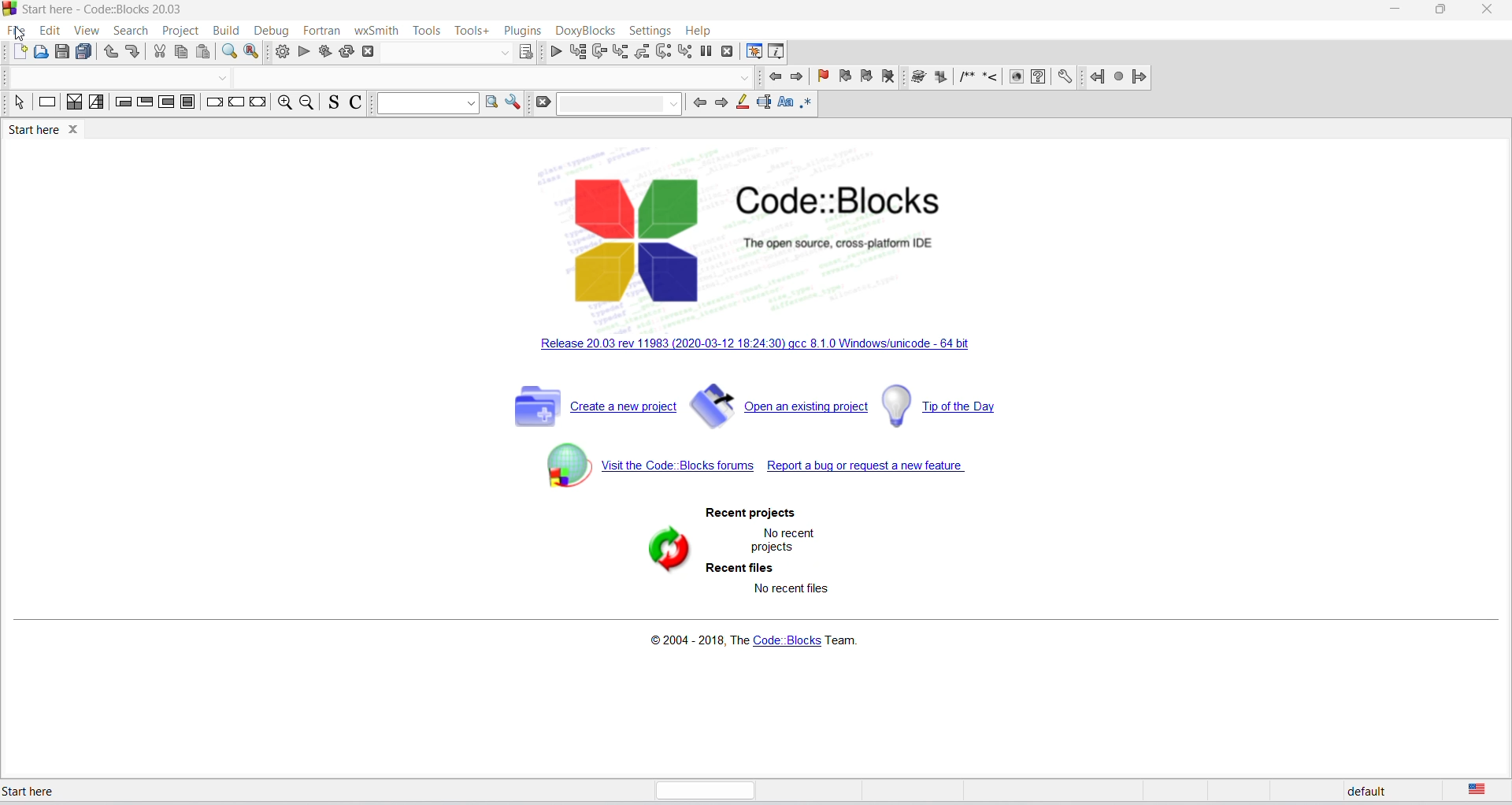 The width and height of the screenshot is (1512, 805). I want to click on selection, so click(96, 105).